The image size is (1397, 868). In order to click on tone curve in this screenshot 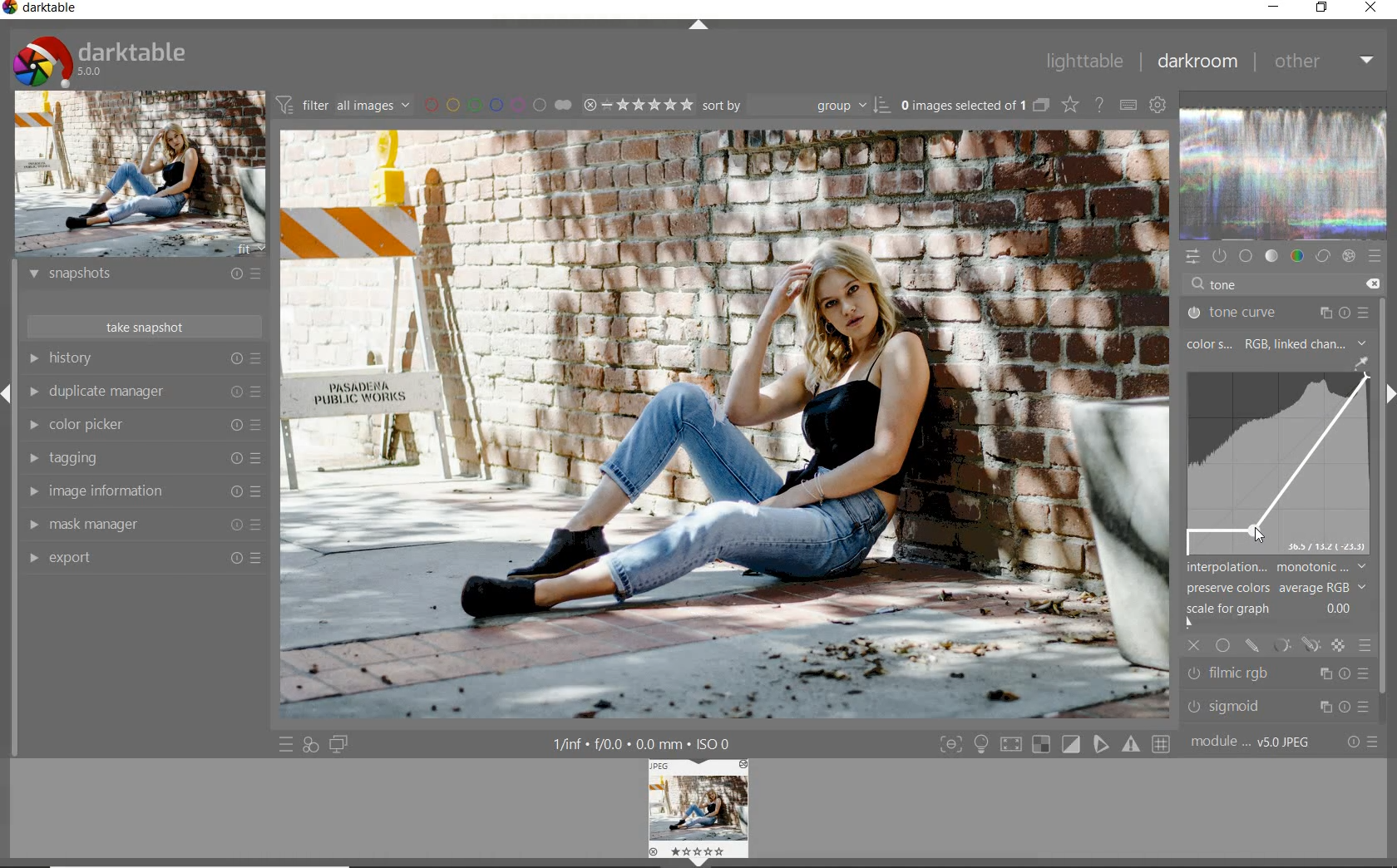, I will do `click(1276, 311)`.